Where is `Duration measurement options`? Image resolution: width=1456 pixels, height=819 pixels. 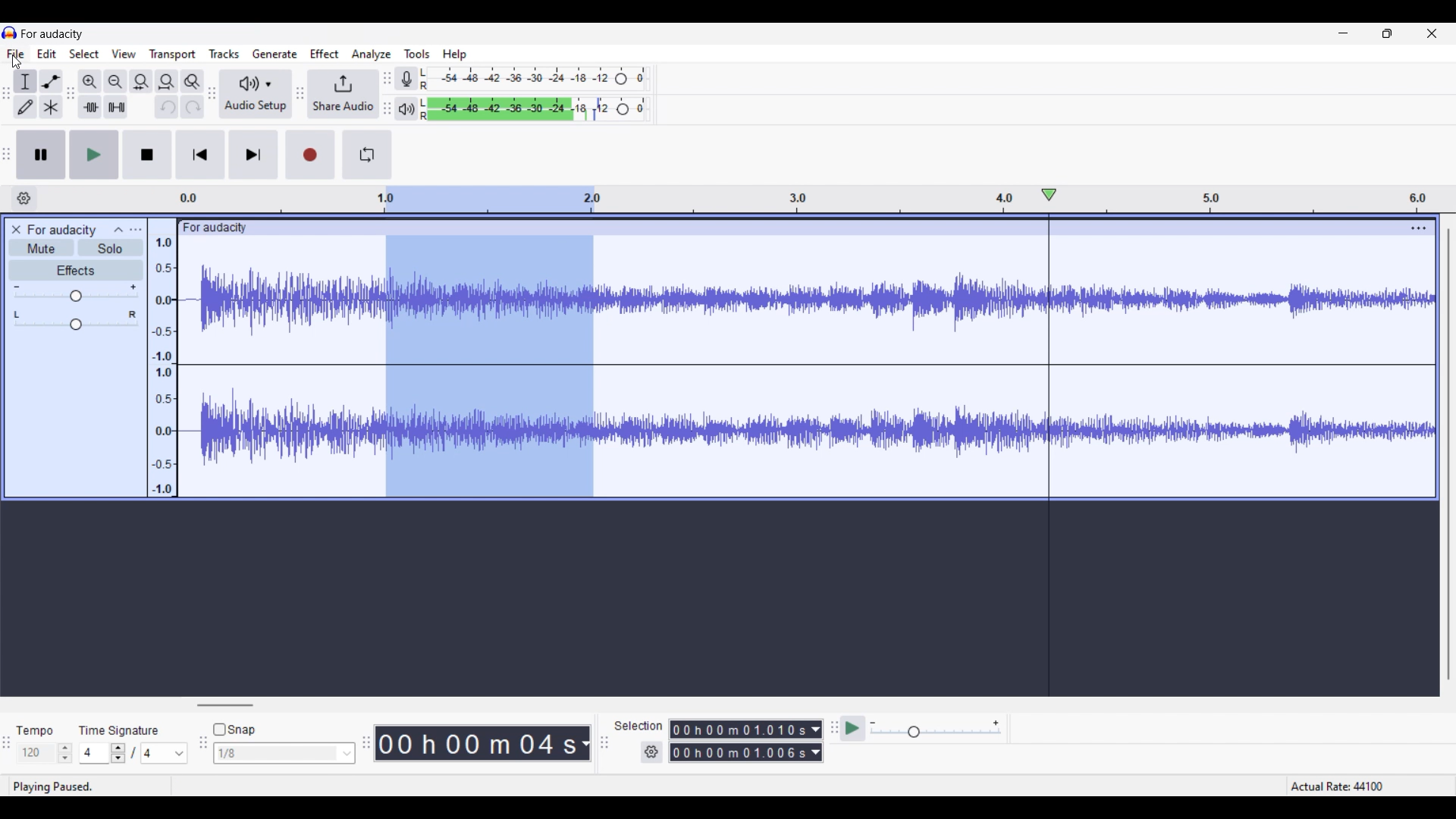
Duration measurement options is located at coordinates (585, 743).